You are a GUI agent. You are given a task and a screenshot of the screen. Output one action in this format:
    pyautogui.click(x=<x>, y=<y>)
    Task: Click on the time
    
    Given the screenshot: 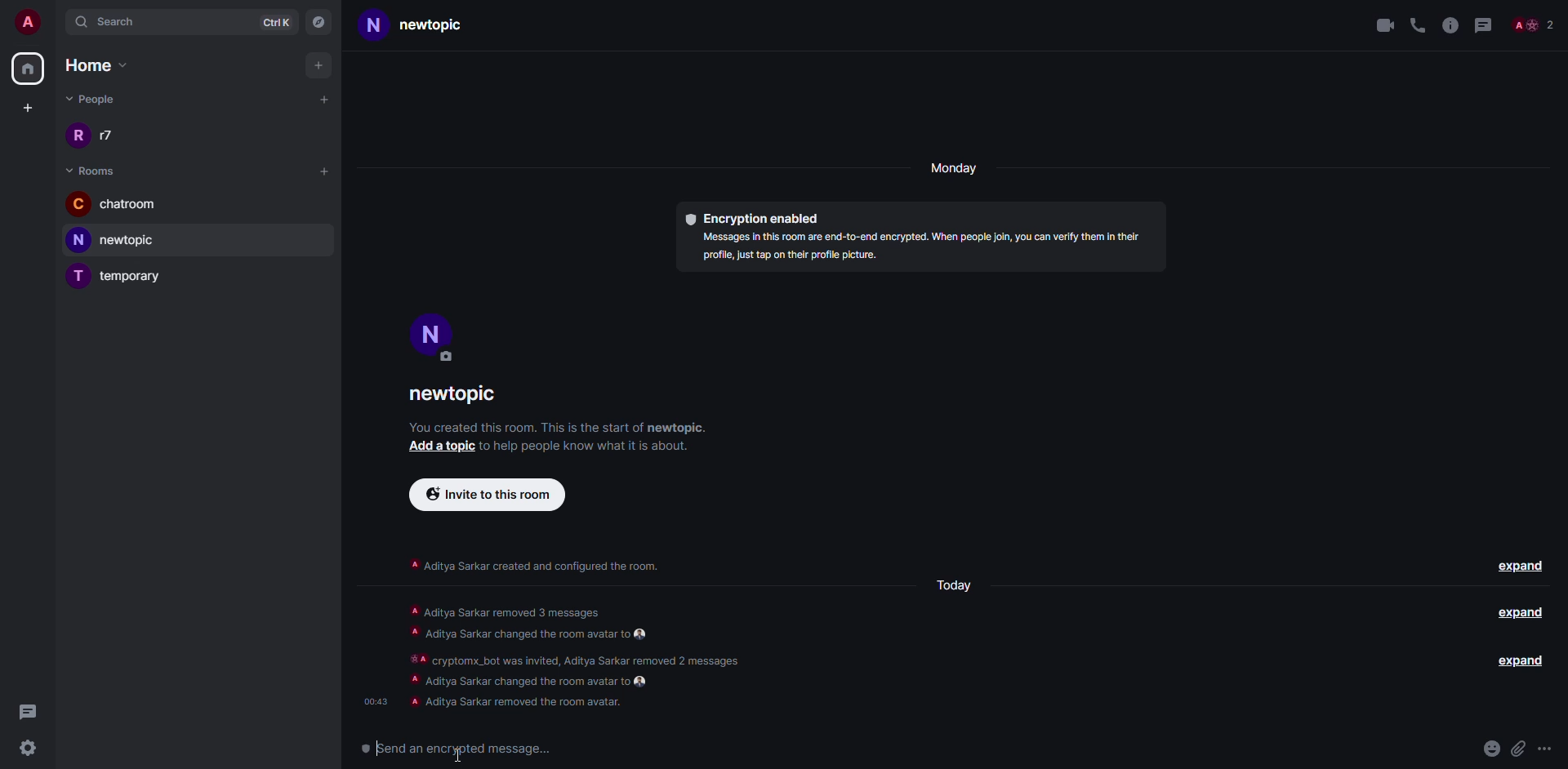 What is the action you would take?
    pyautogui.click(x=374, y=696)
    